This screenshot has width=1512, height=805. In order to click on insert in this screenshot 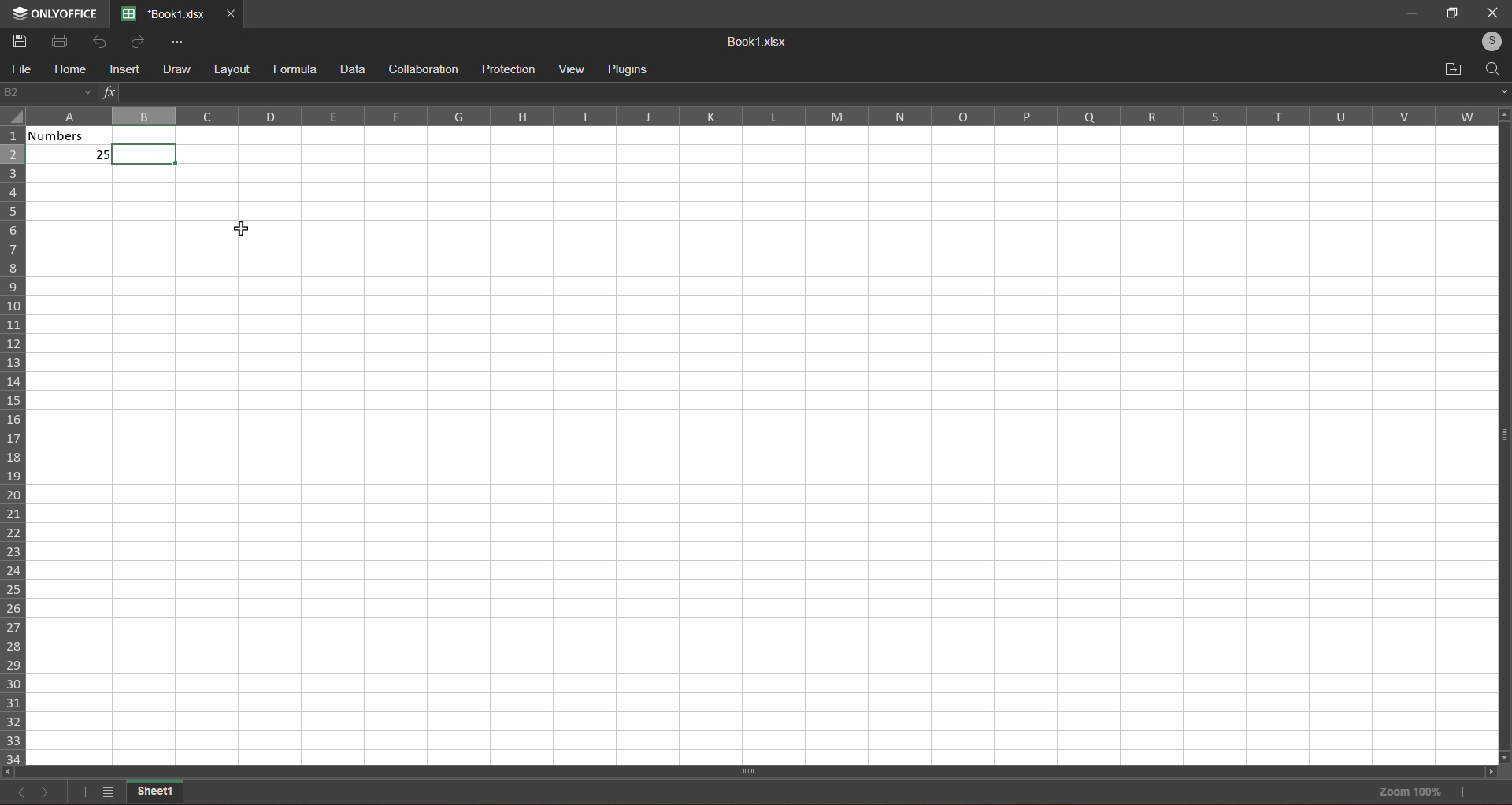, I will do `click(120, 70)`.